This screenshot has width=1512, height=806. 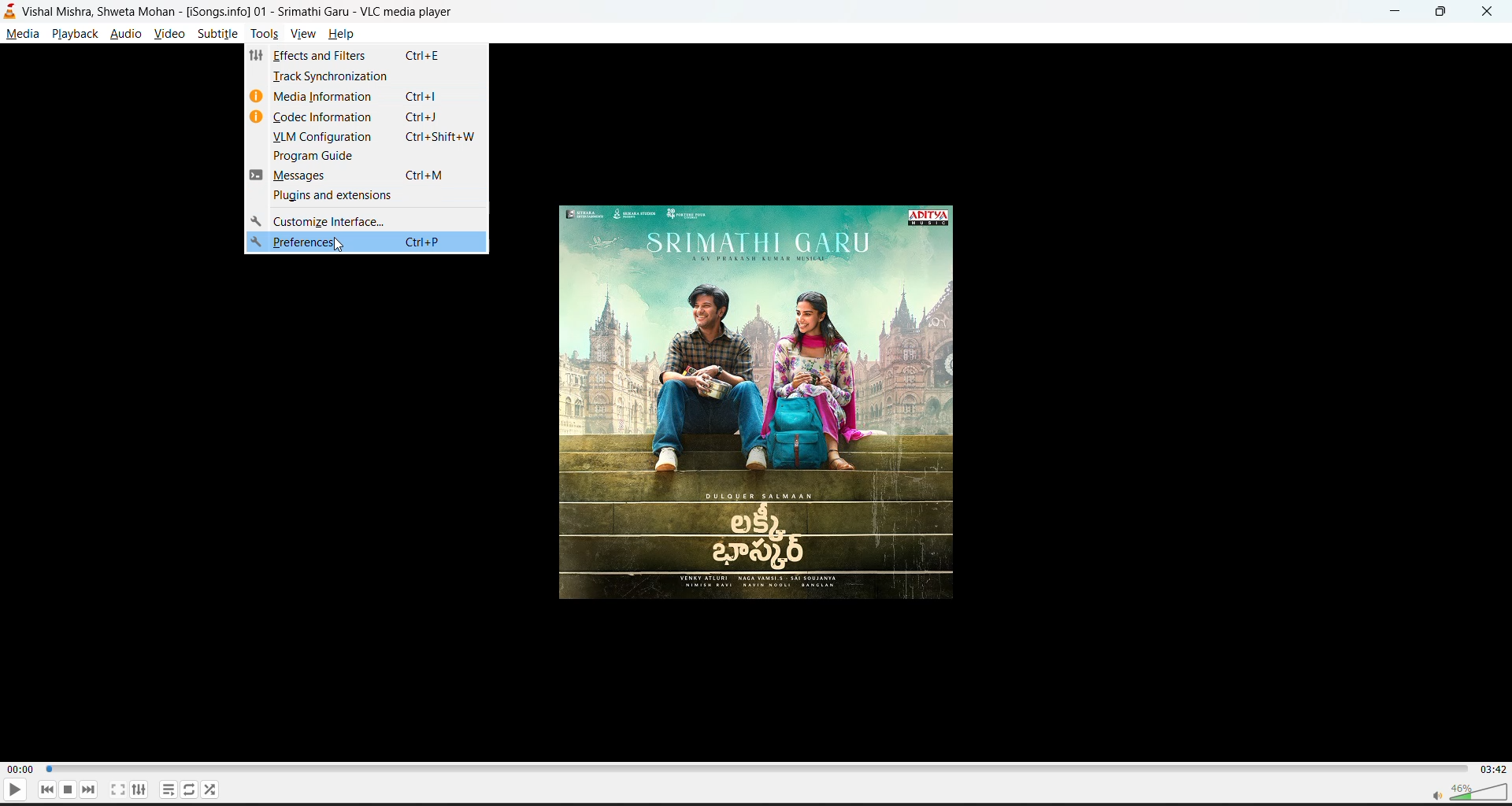 I want to click on help, so click(x=346, y=34).